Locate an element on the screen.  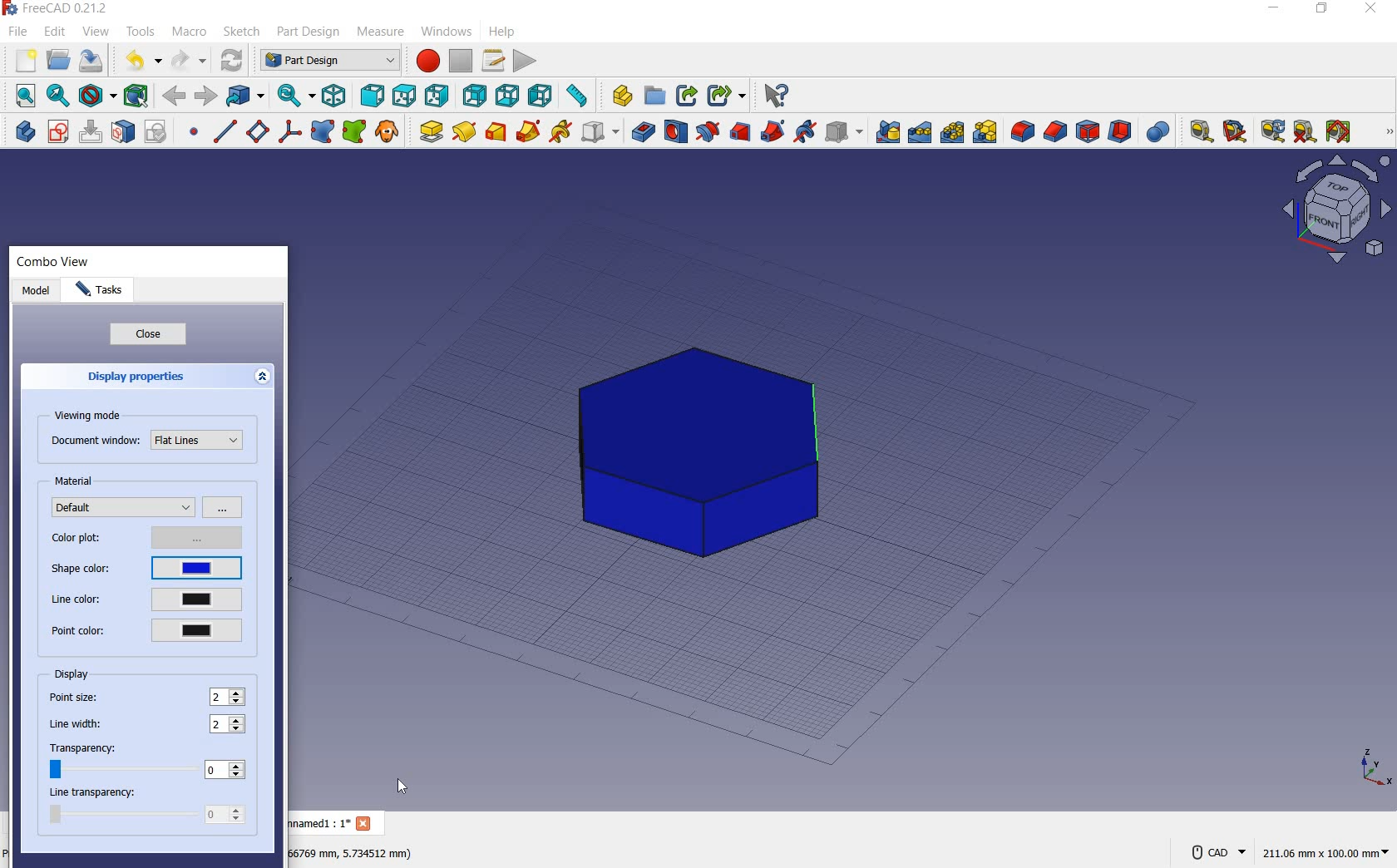
line width is located at coordinates (79, 727).